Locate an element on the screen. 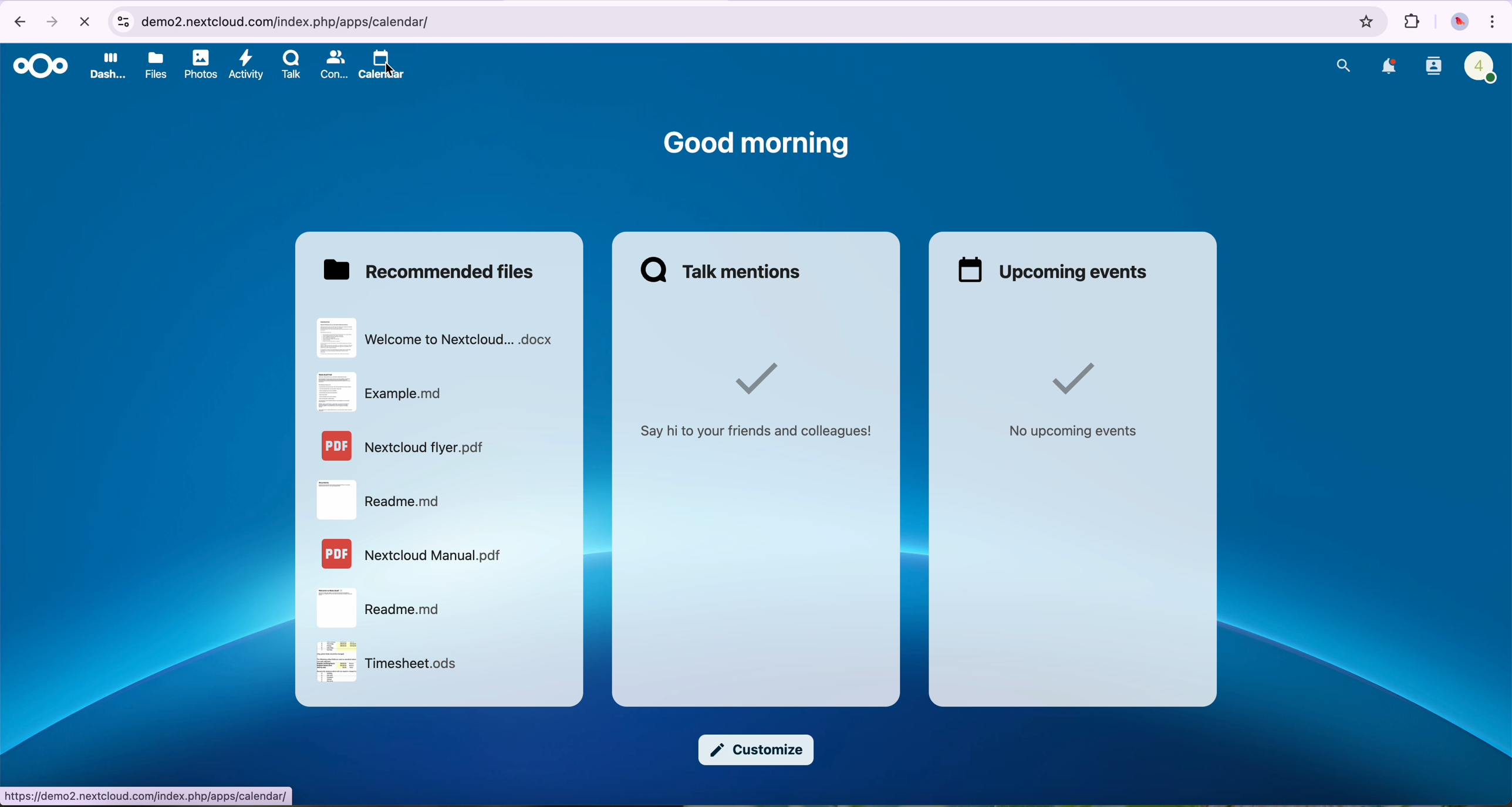 The height and width of the screenshot is (807, 1512). file is located at coordinates (373, 609).